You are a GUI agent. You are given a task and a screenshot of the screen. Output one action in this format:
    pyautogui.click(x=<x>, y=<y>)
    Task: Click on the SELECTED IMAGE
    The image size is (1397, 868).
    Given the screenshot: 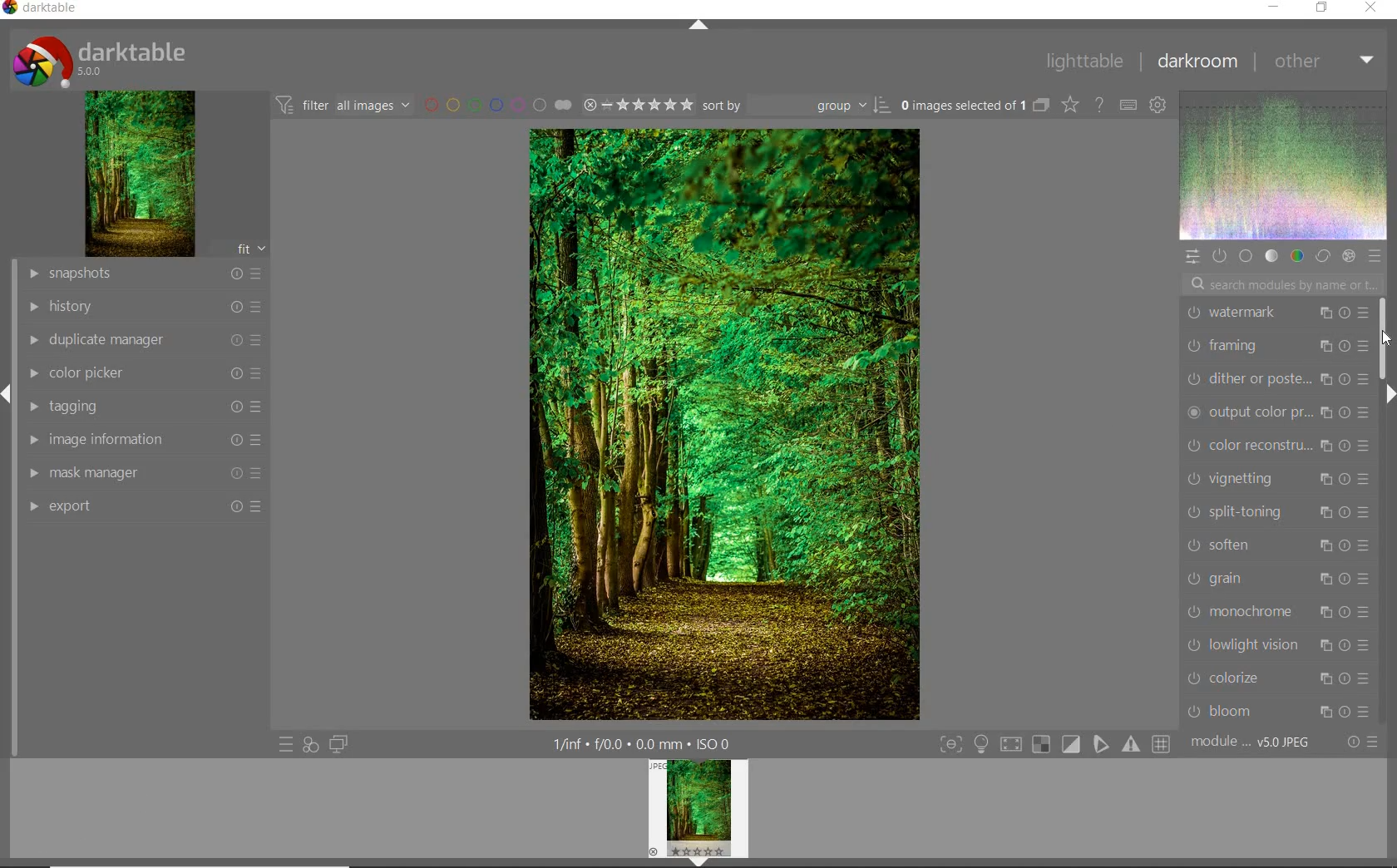 What is the action you would take?
    pyautogui.click(x=962, y=106)
    